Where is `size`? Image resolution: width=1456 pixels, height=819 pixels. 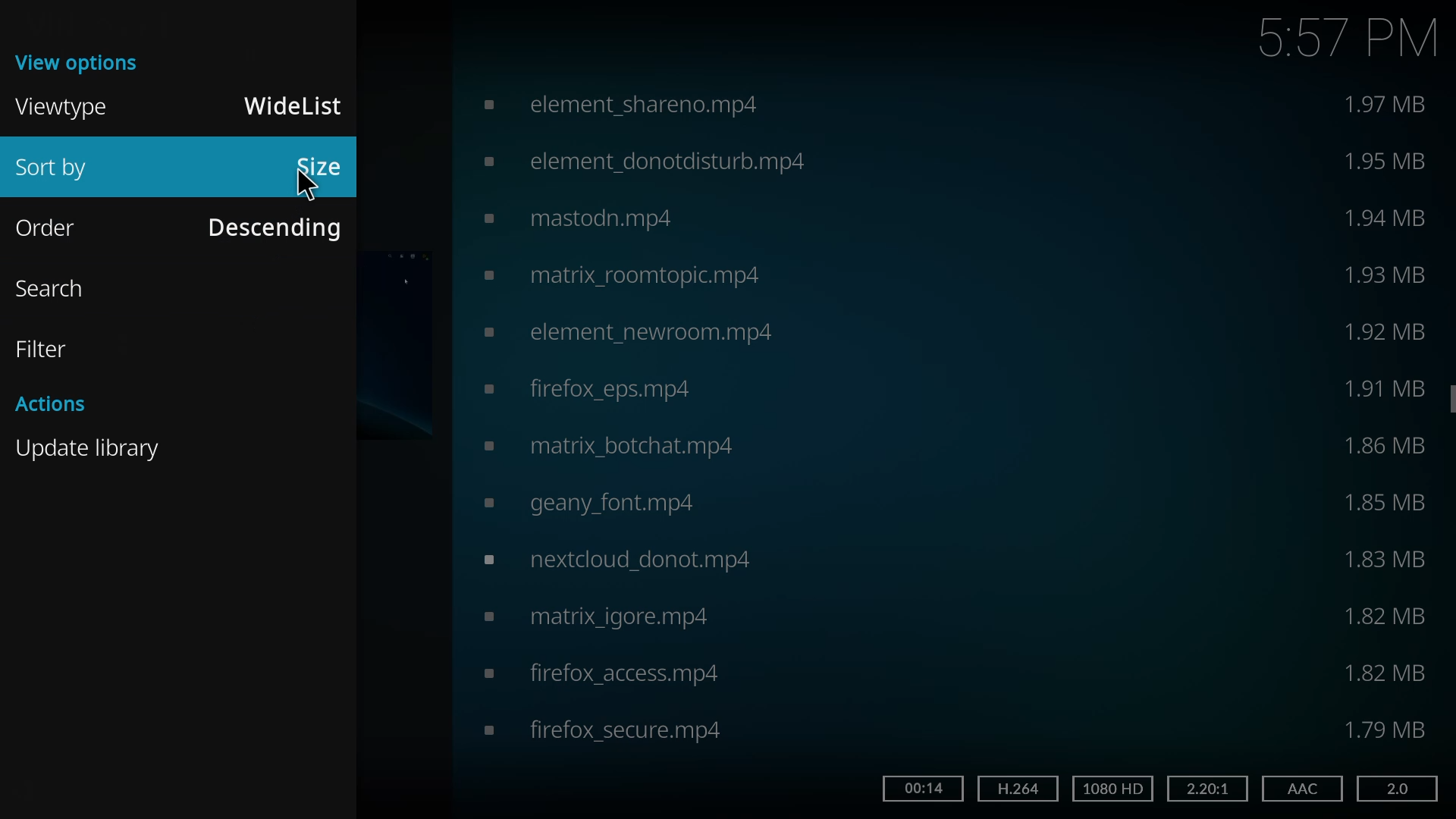 size is located at coordinates (1389, 501).